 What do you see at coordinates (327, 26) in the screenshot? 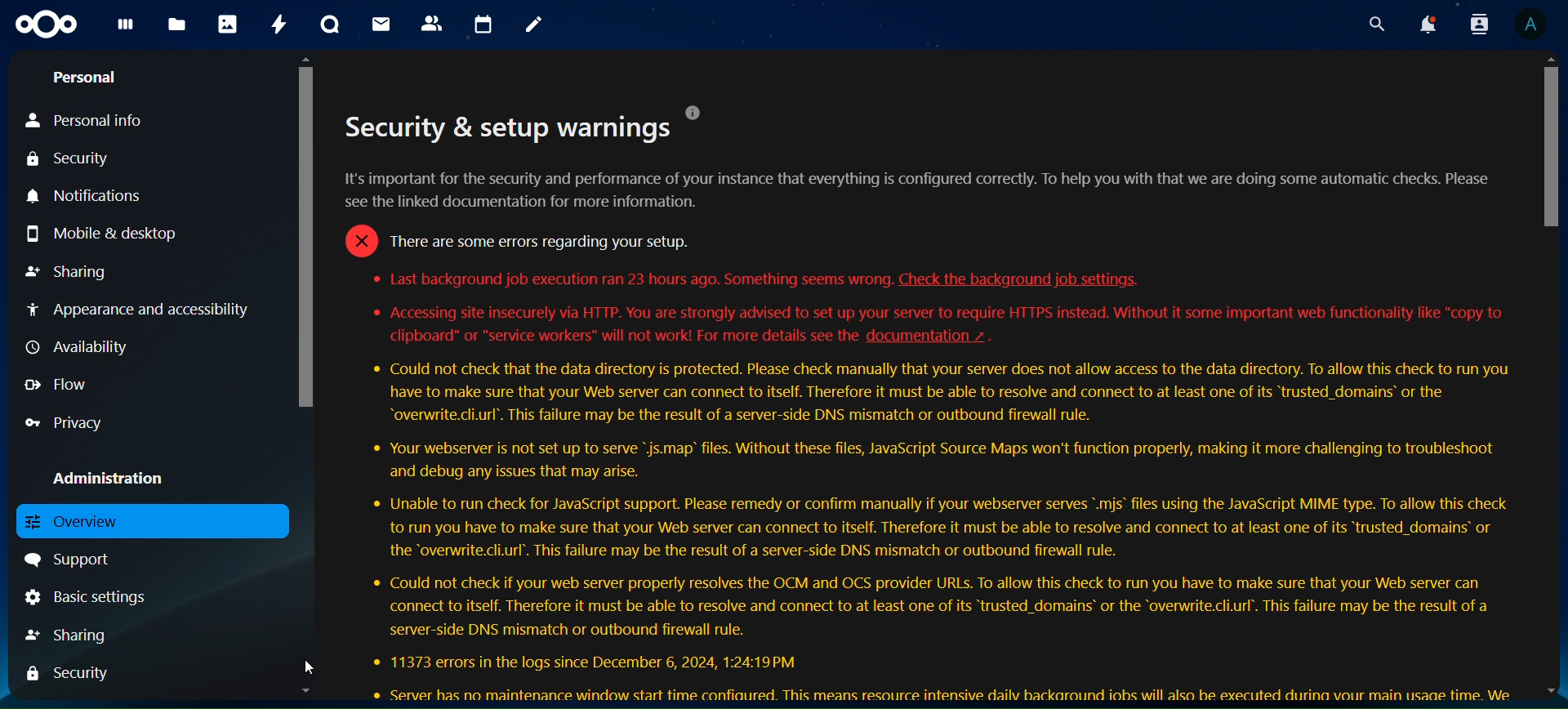
I see `talk` at bounding box center [327, 26].